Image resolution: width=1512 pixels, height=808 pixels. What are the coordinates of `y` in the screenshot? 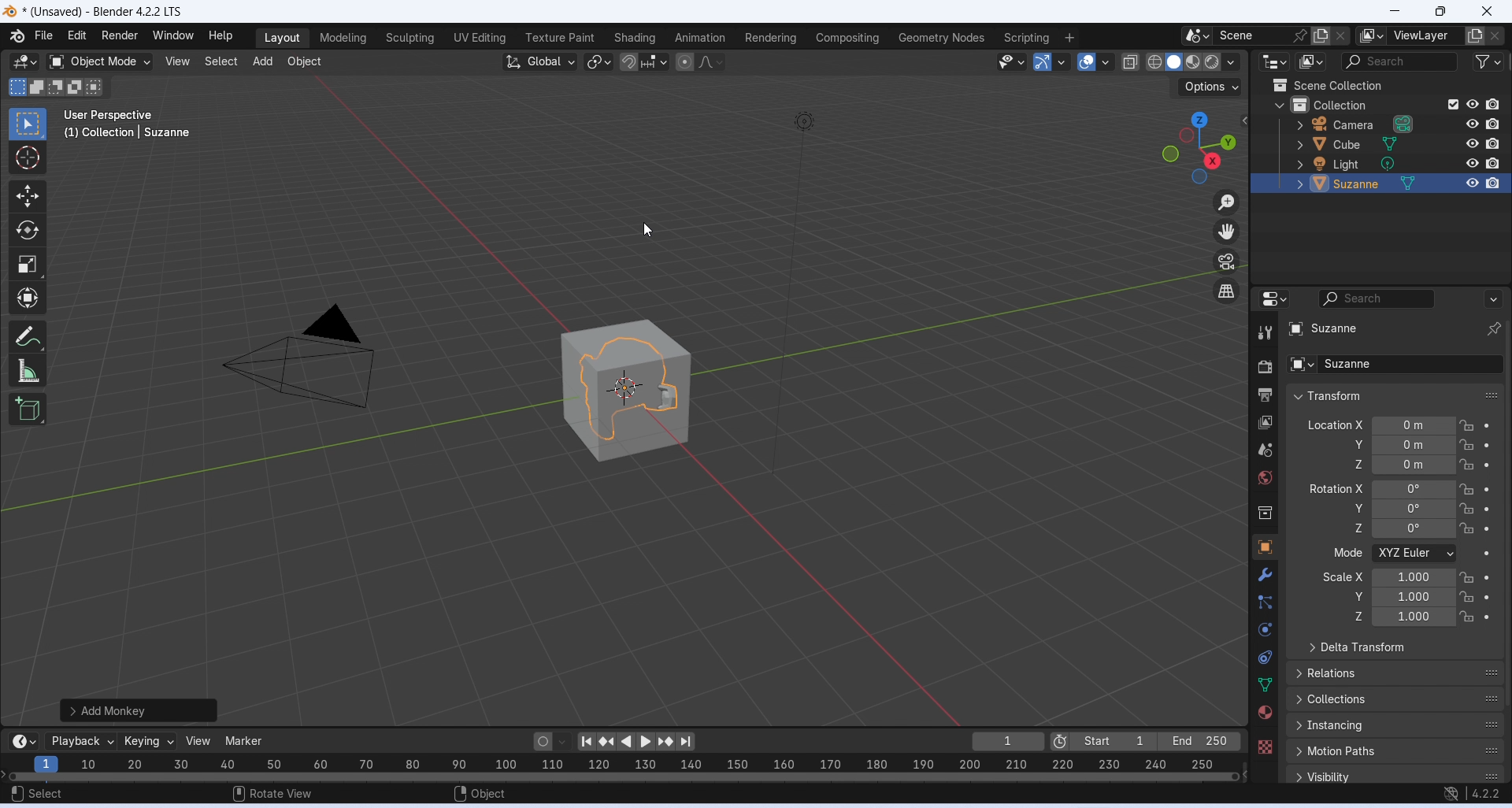 It's located at (1354, 444).